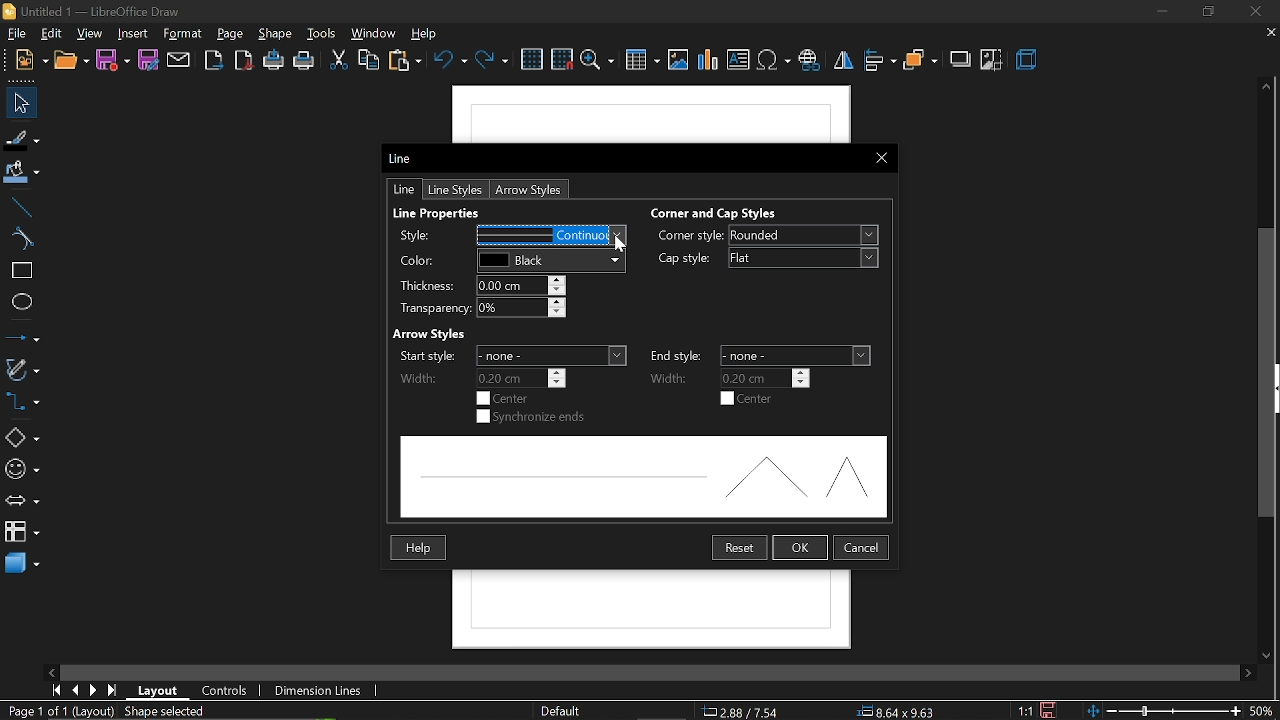 The height and width of the screenshot is (720, 1280). Describe the element at coordinates (534, 59) in the screenshot. I see `grid` at that location.